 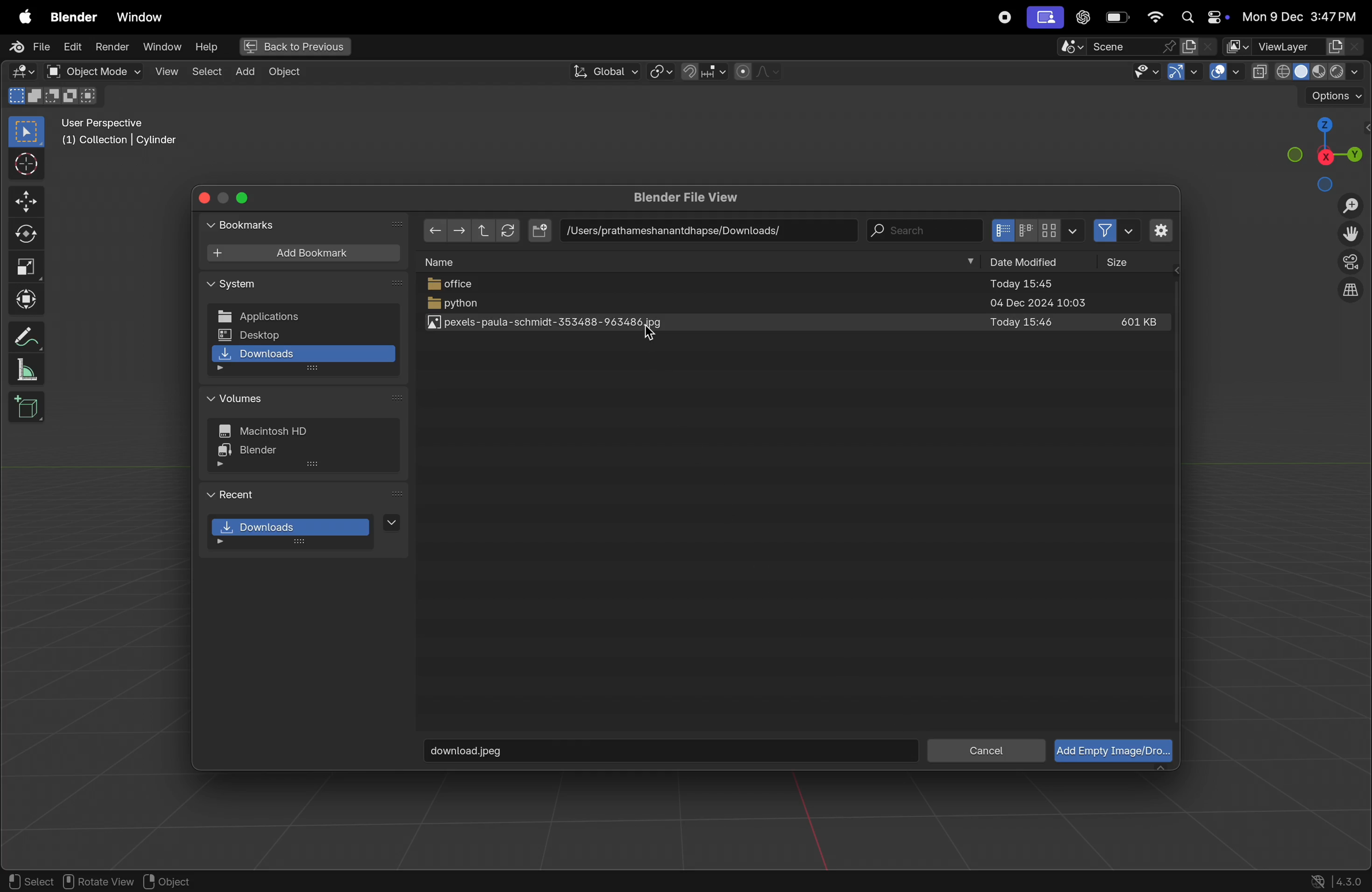 I want to click on show gimzo, so click(x=1185, y=74).